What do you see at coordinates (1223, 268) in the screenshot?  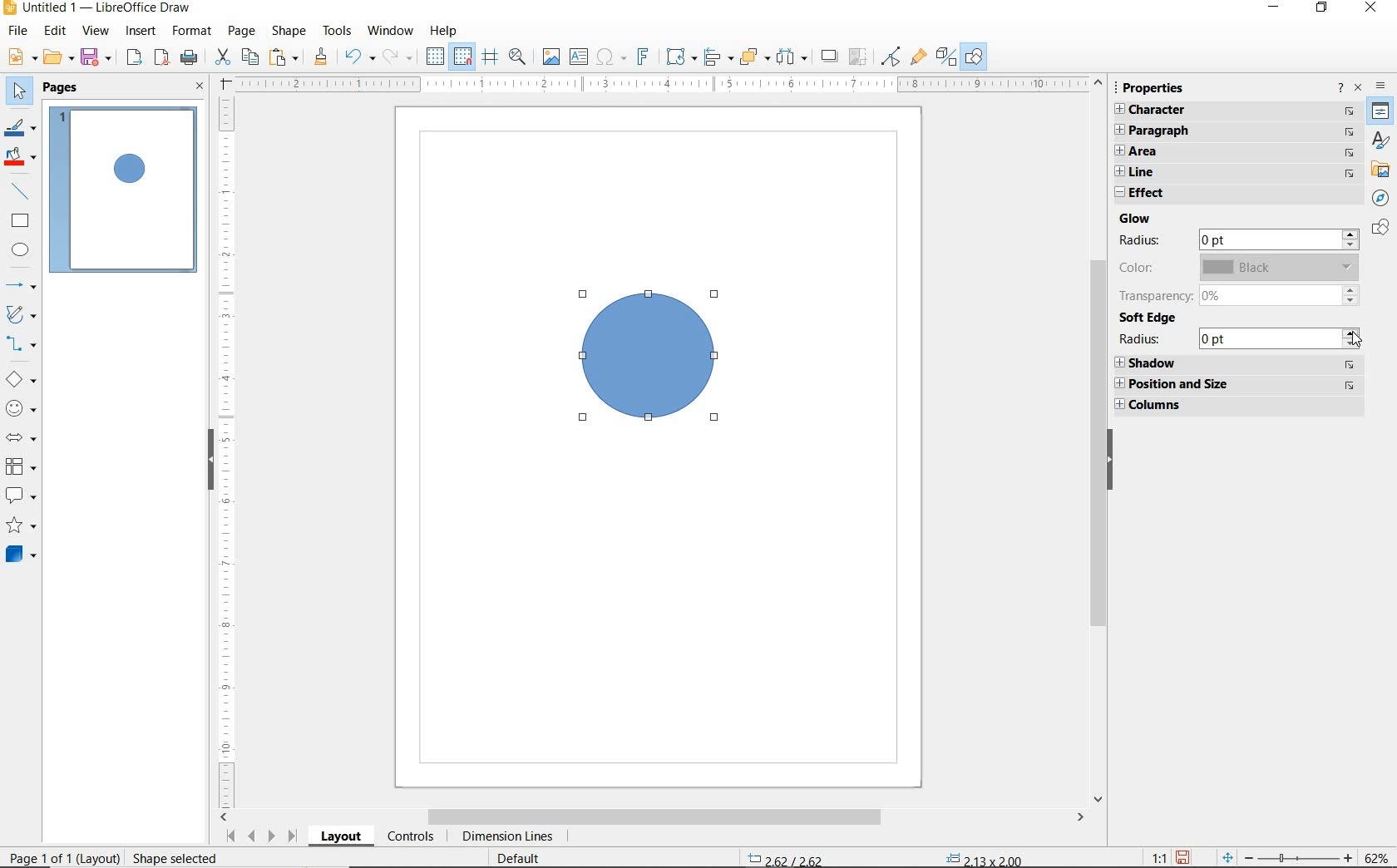 I see `COLOR Black` at bounding box center [1223, 268].